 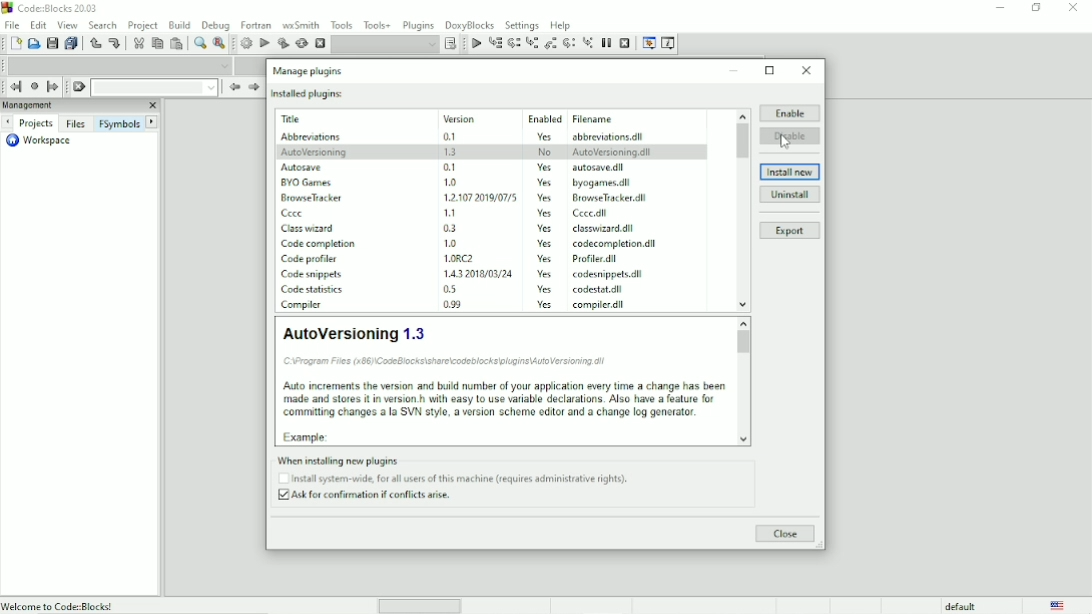 What do you see at coordinates (446, 459) in the screenshot?
I see `When installing new plugins` at bounding box center [446, 459].